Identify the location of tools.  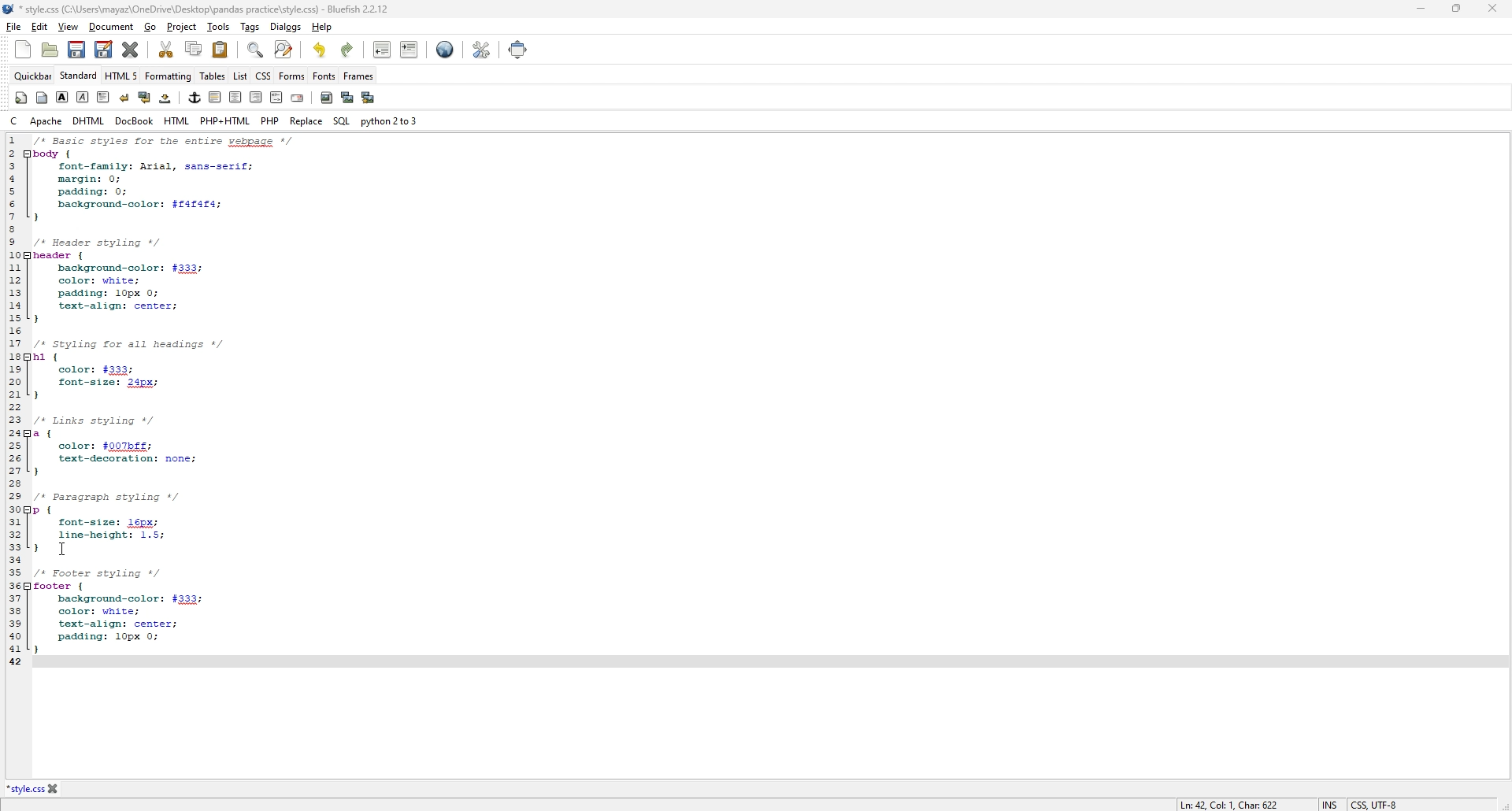
(218, 27).